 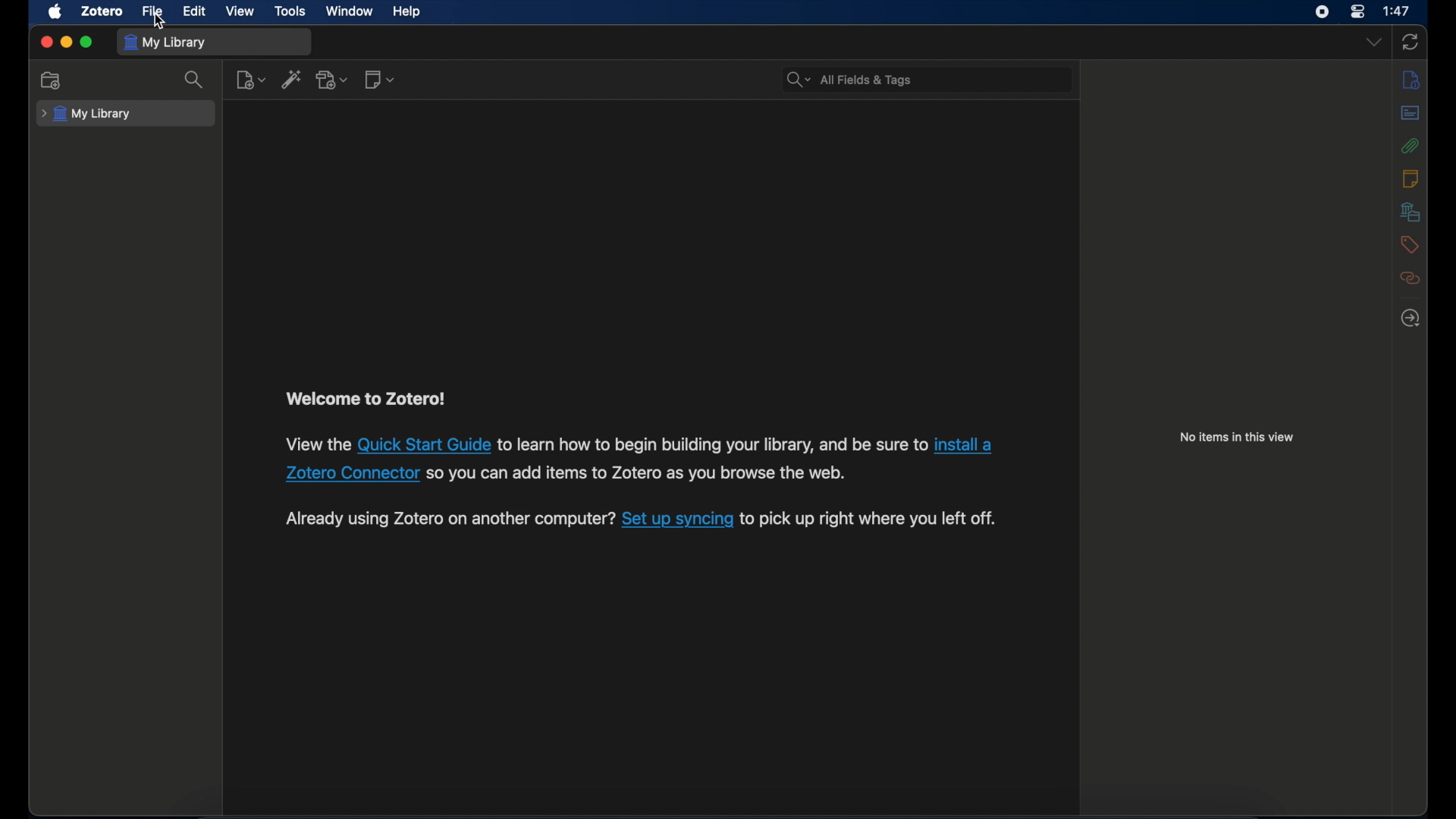 What do you see at coordinates (378, 80) in the screenshot?
I see `new note` at bounding box center [378, 80].